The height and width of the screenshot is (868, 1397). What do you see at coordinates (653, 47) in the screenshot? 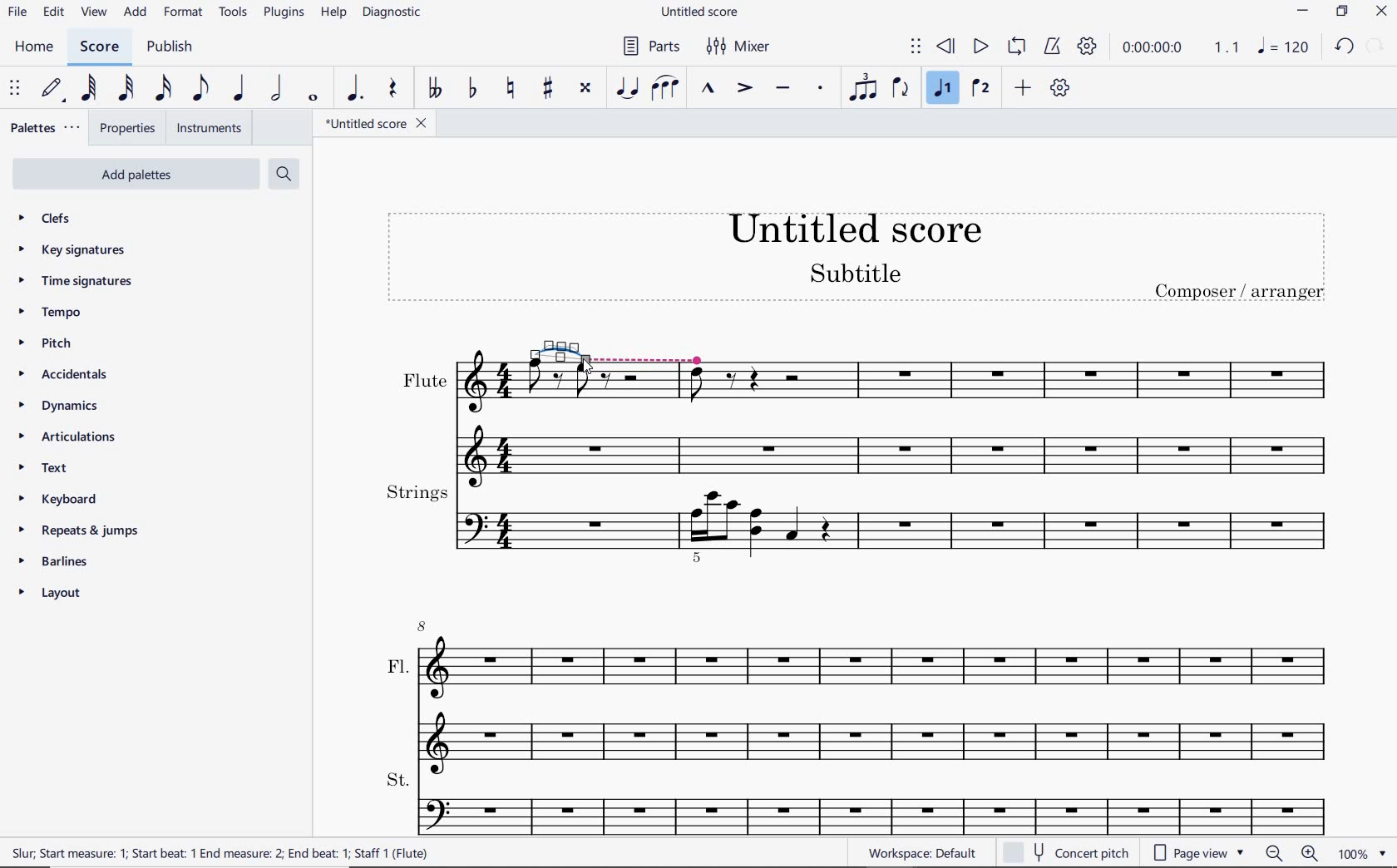
I see `parts` at bounding box center [653, 47].